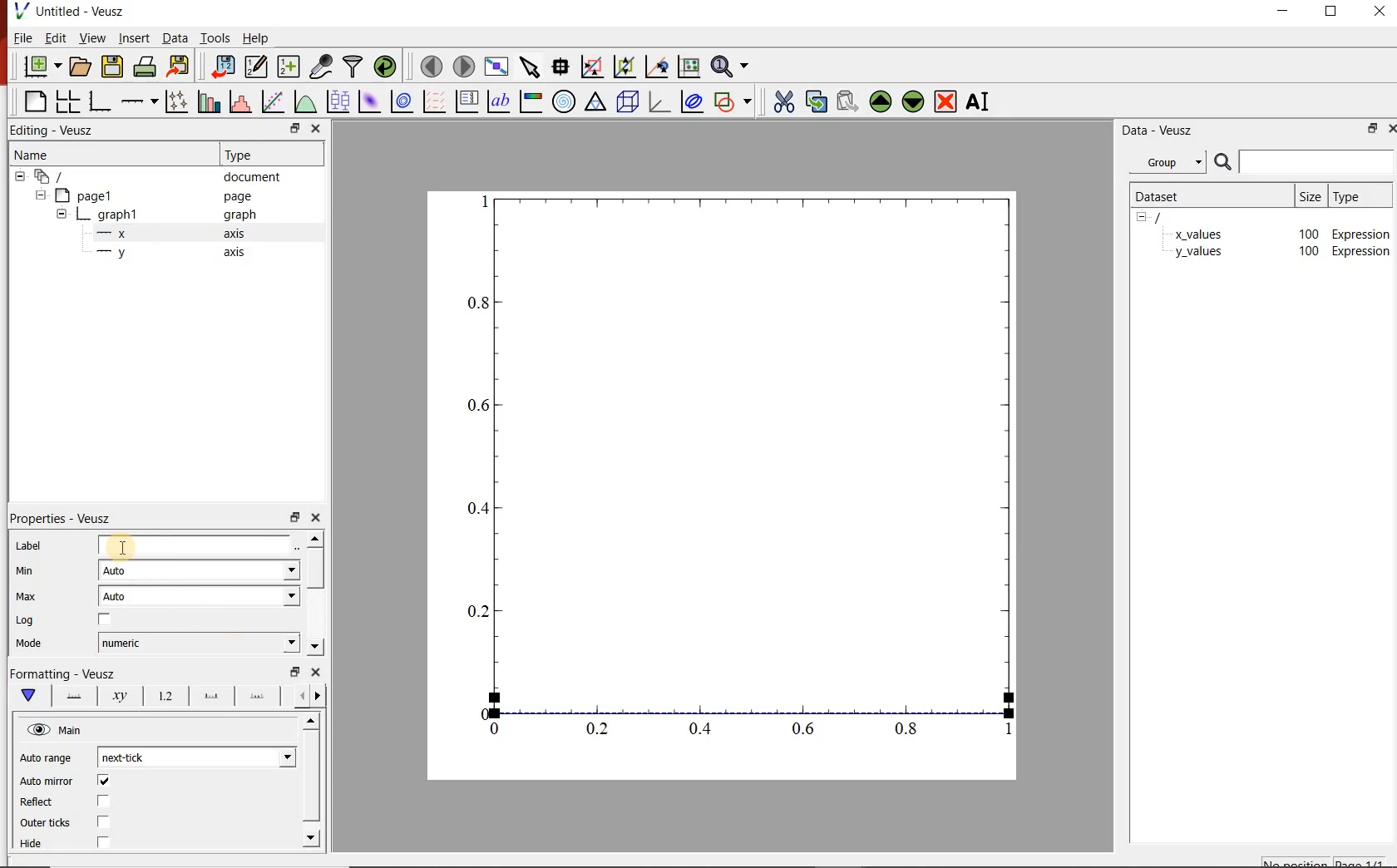 The width and height of the screenshot is (1397, 868). Describe the element at coordinates (250, 155) in the screenshot. I see `Type` at that location.